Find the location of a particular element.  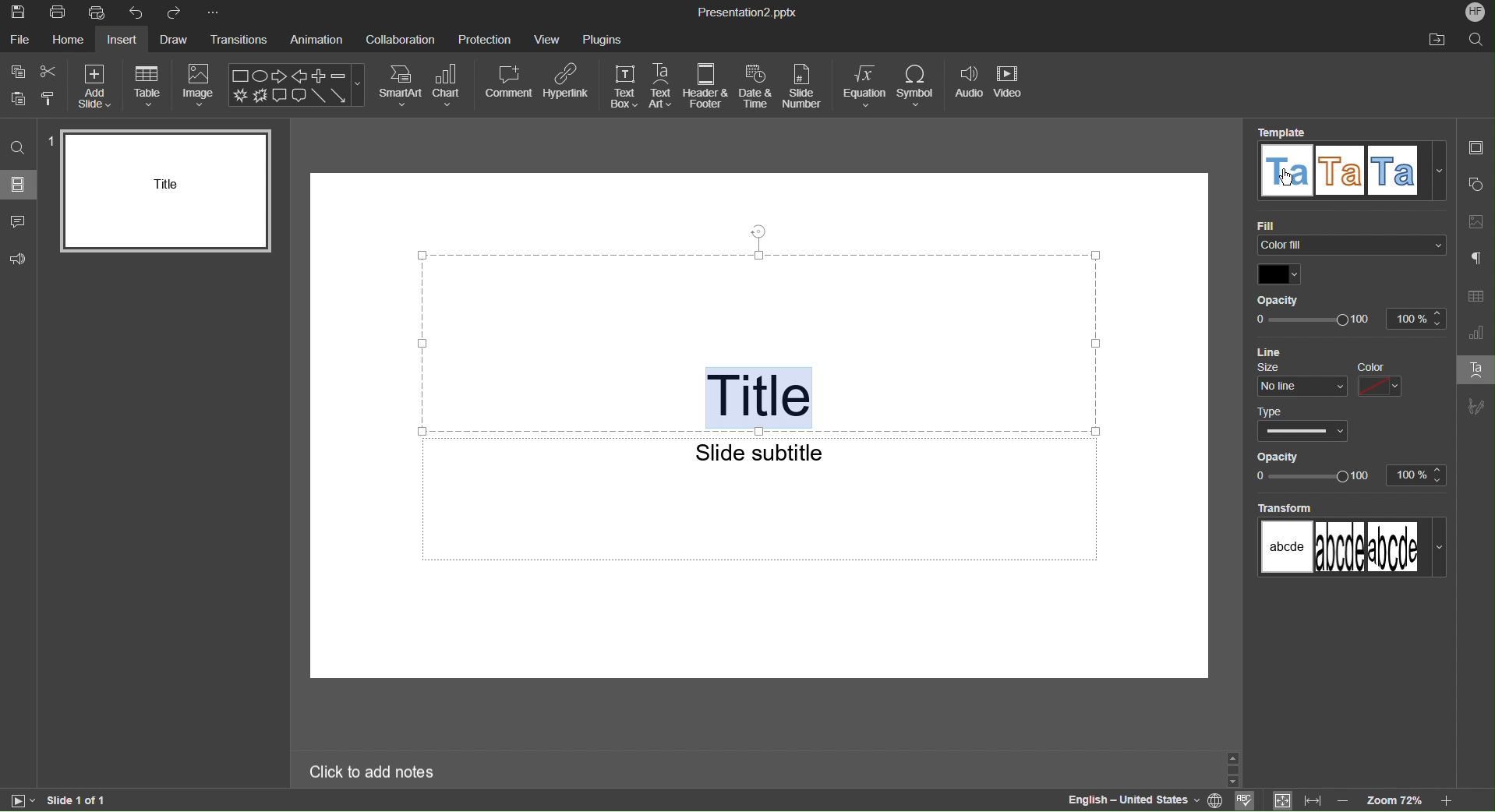

Text Art is located at coordinates (1475, 369).